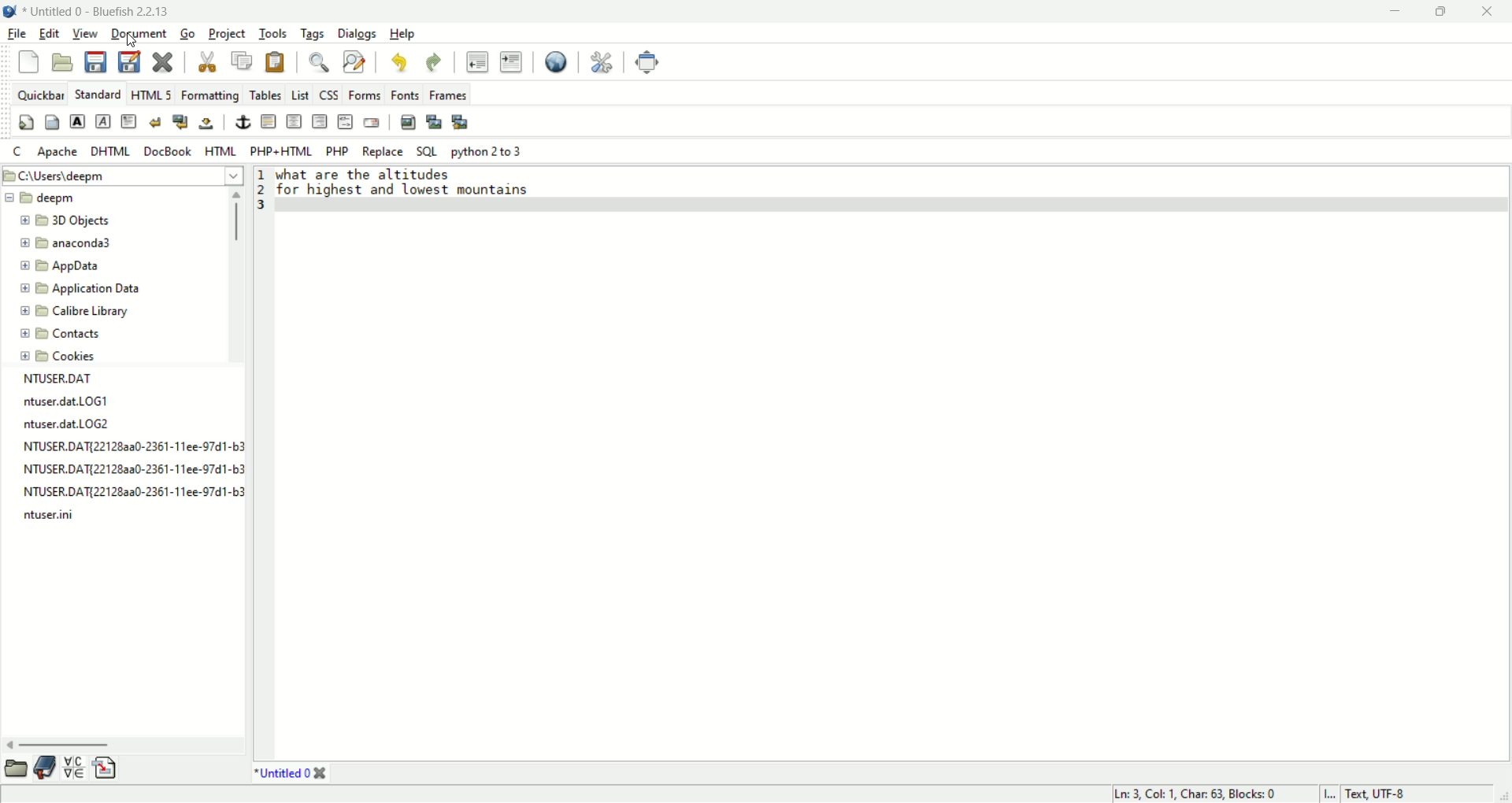 The width and height of the screenshot is (1512, 803). What do you see at coordinates (295, 121) in the screenshot?
I see `center` at bounding box center [295, 121].